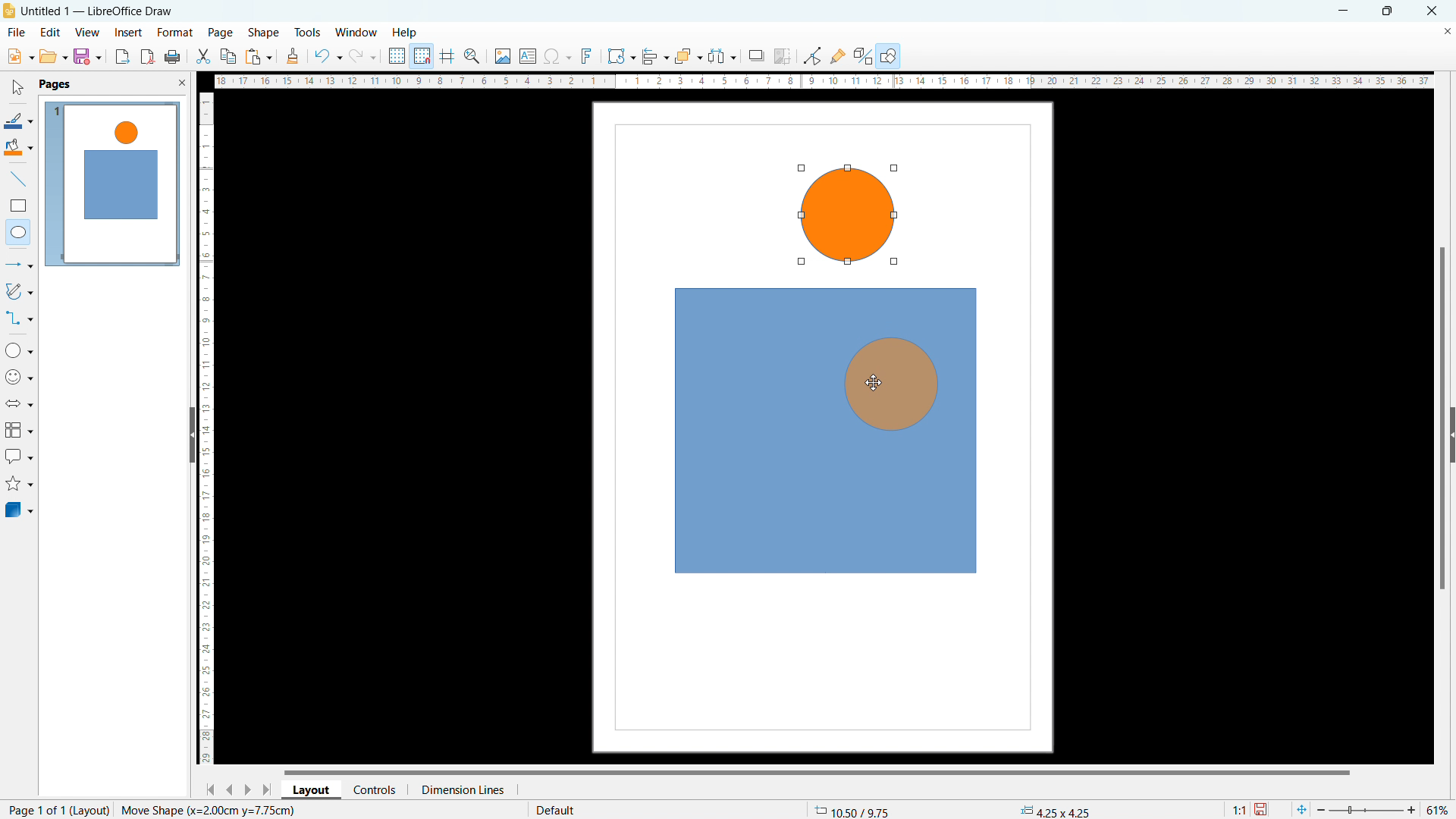 The height and width of the screenshot is (819, 1456). What do you see at coordinates (814, 55) in the screenshot?
I see `toggle point edit mode` at bounding box center [814, 55].